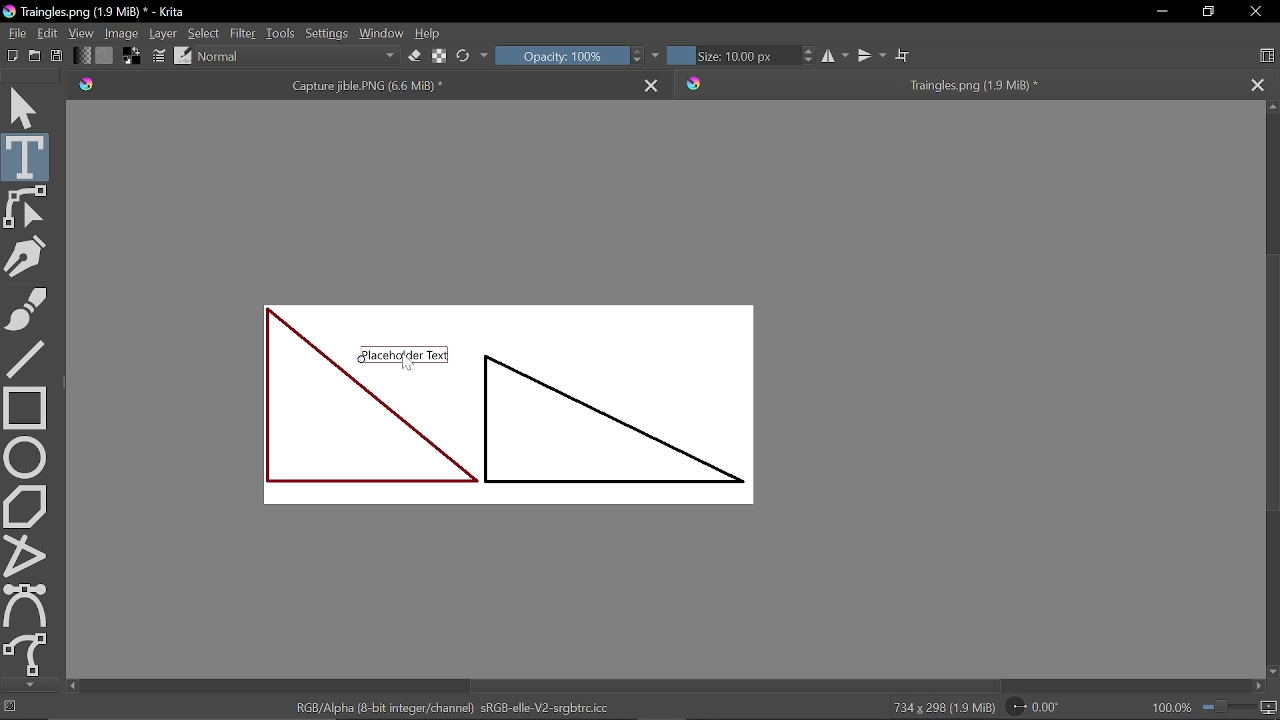  What do you see at coordinates (653, 82) in the screenshot?
I see `Close tab` at bounding box center [653, 82].